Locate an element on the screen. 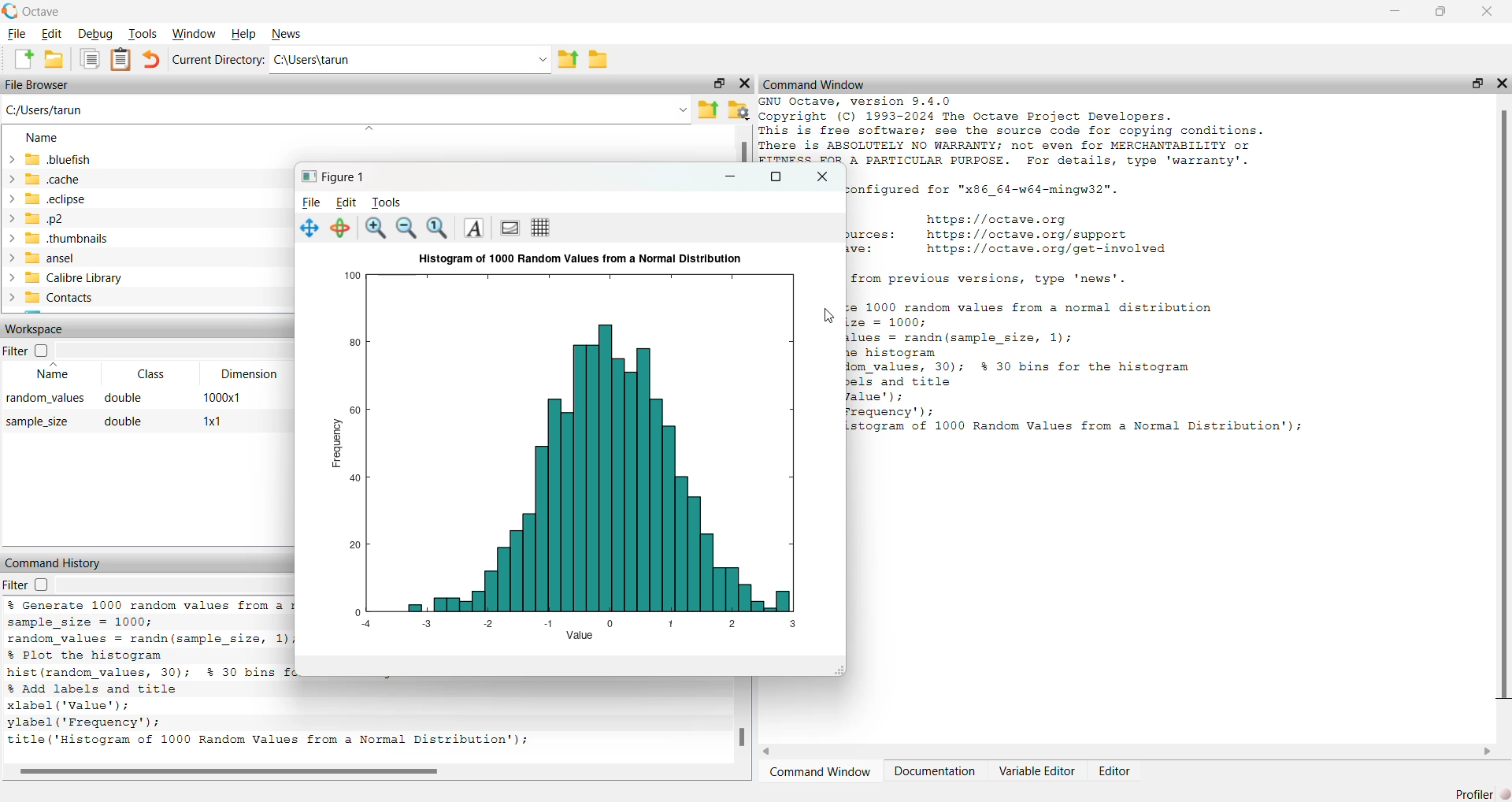 The width and height of the screenshot is (1512, 802). Variable Editor is located at coordinates (1037, 771).